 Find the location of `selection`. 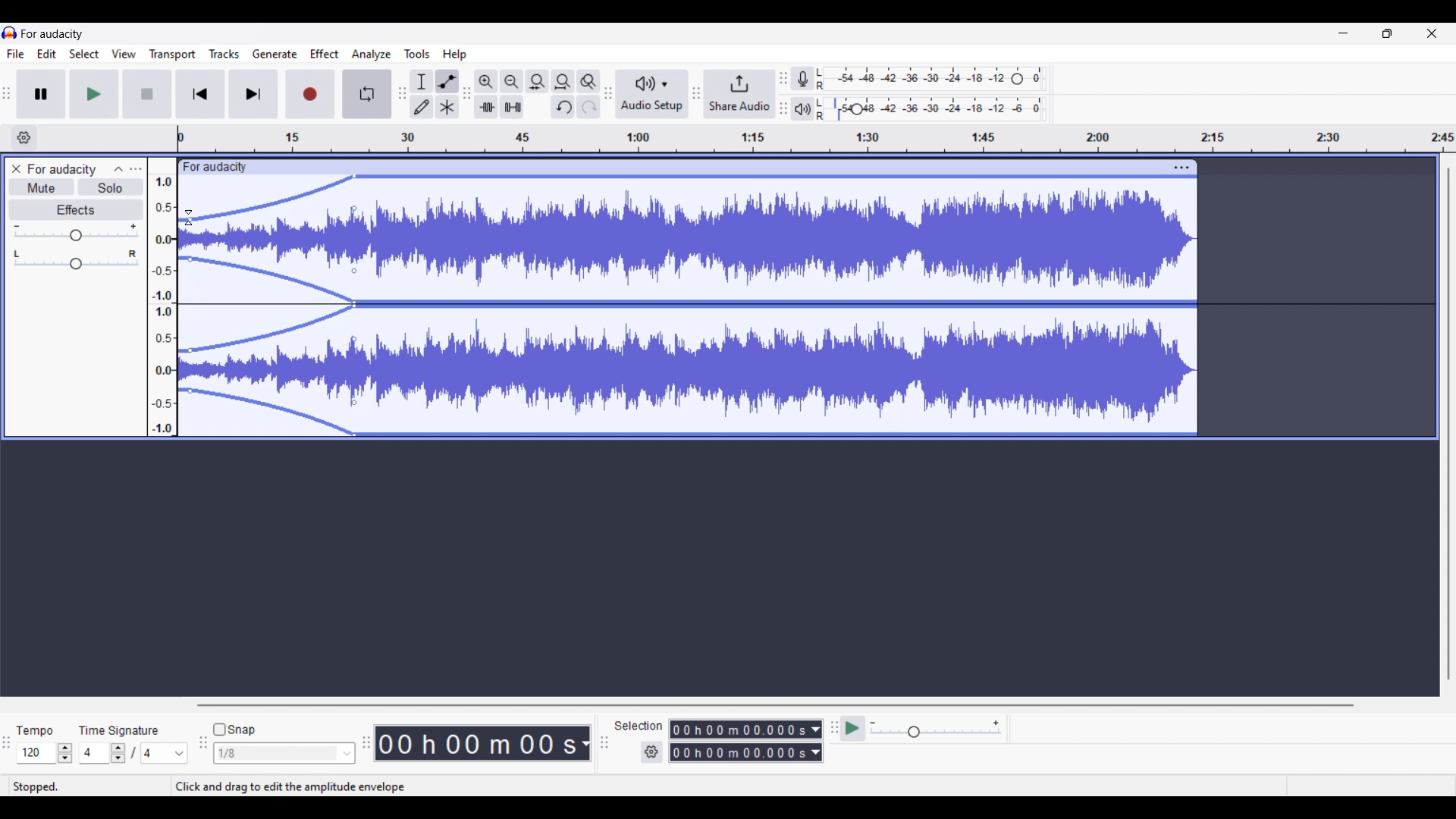

selection is located at coordinates (638, 725).